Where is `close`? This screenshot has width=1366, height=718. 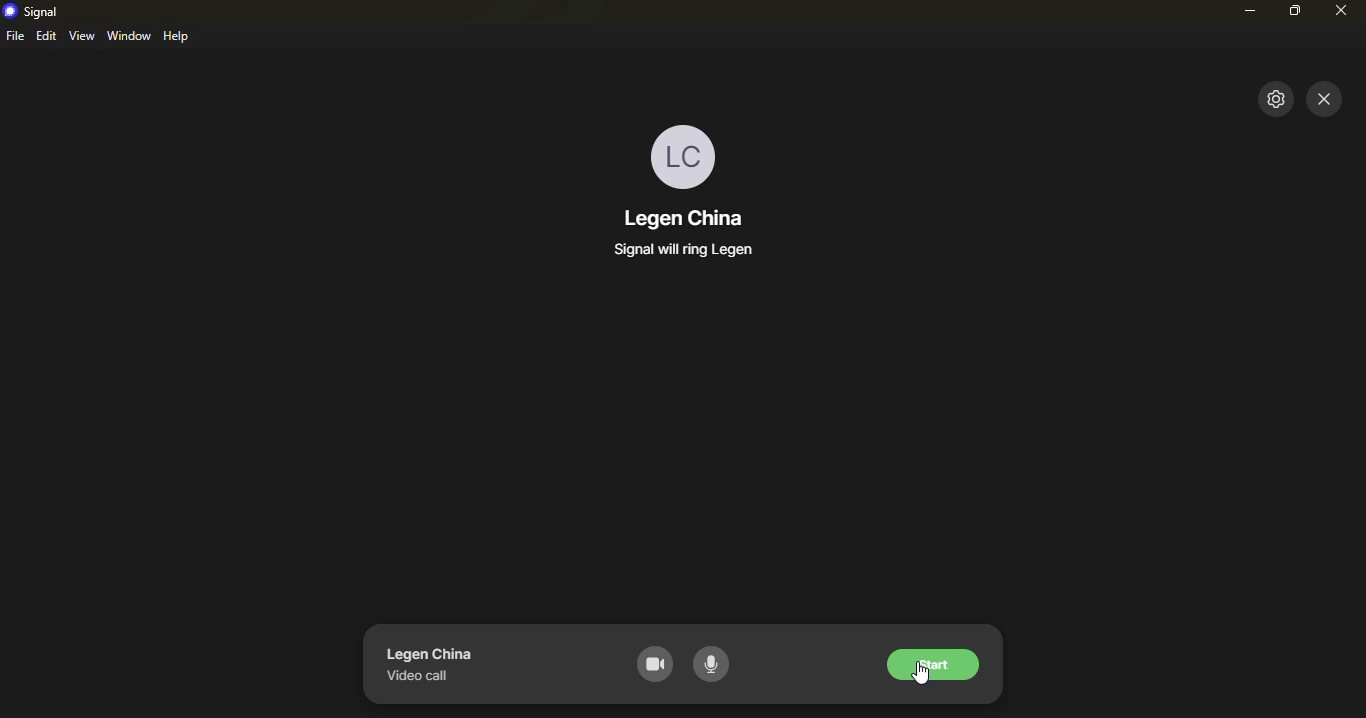 close is located at coordinates (1327, 101).